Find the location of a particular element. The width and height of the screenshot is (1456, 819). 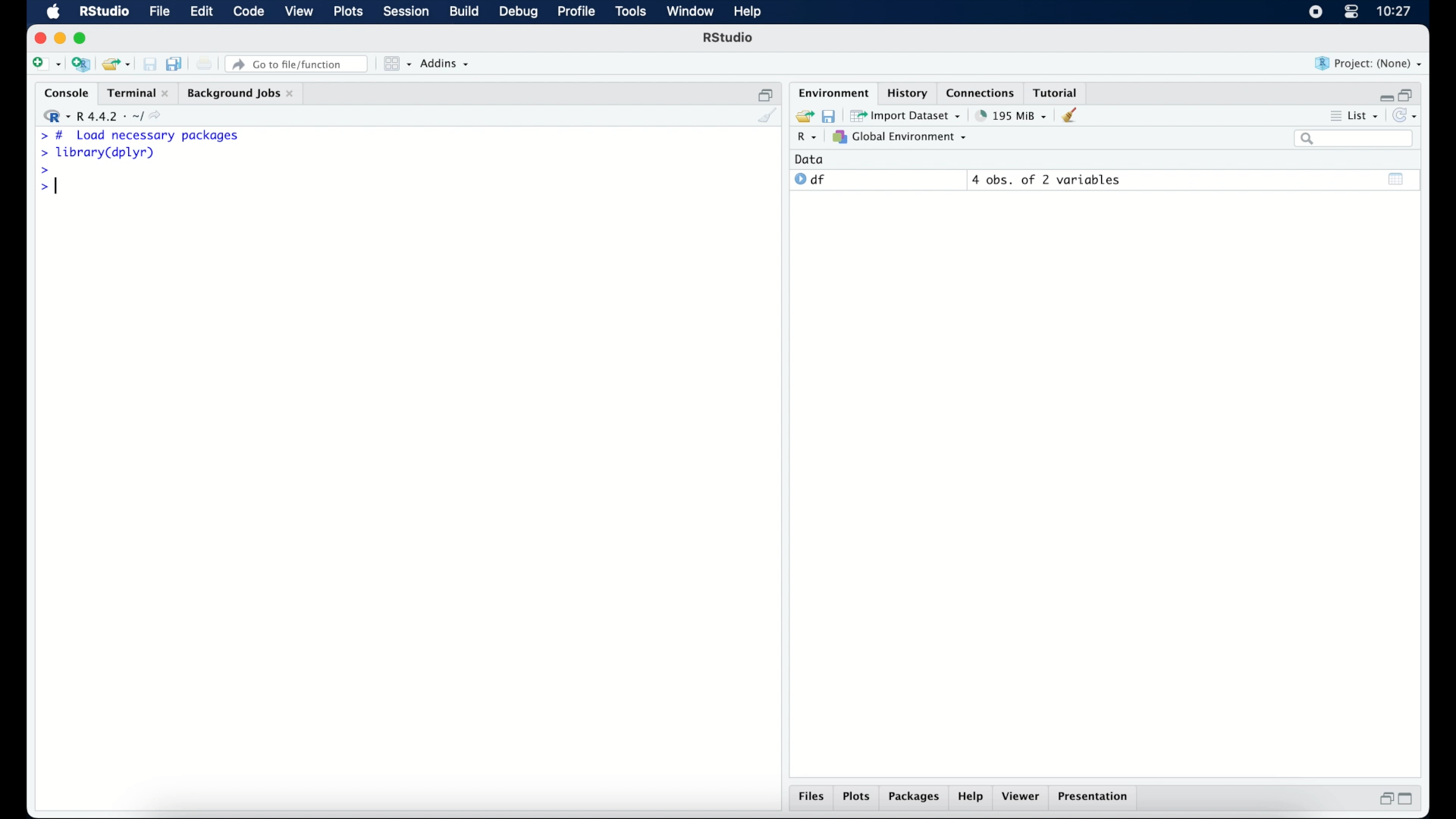

environment is located at coordinates (831, 92).